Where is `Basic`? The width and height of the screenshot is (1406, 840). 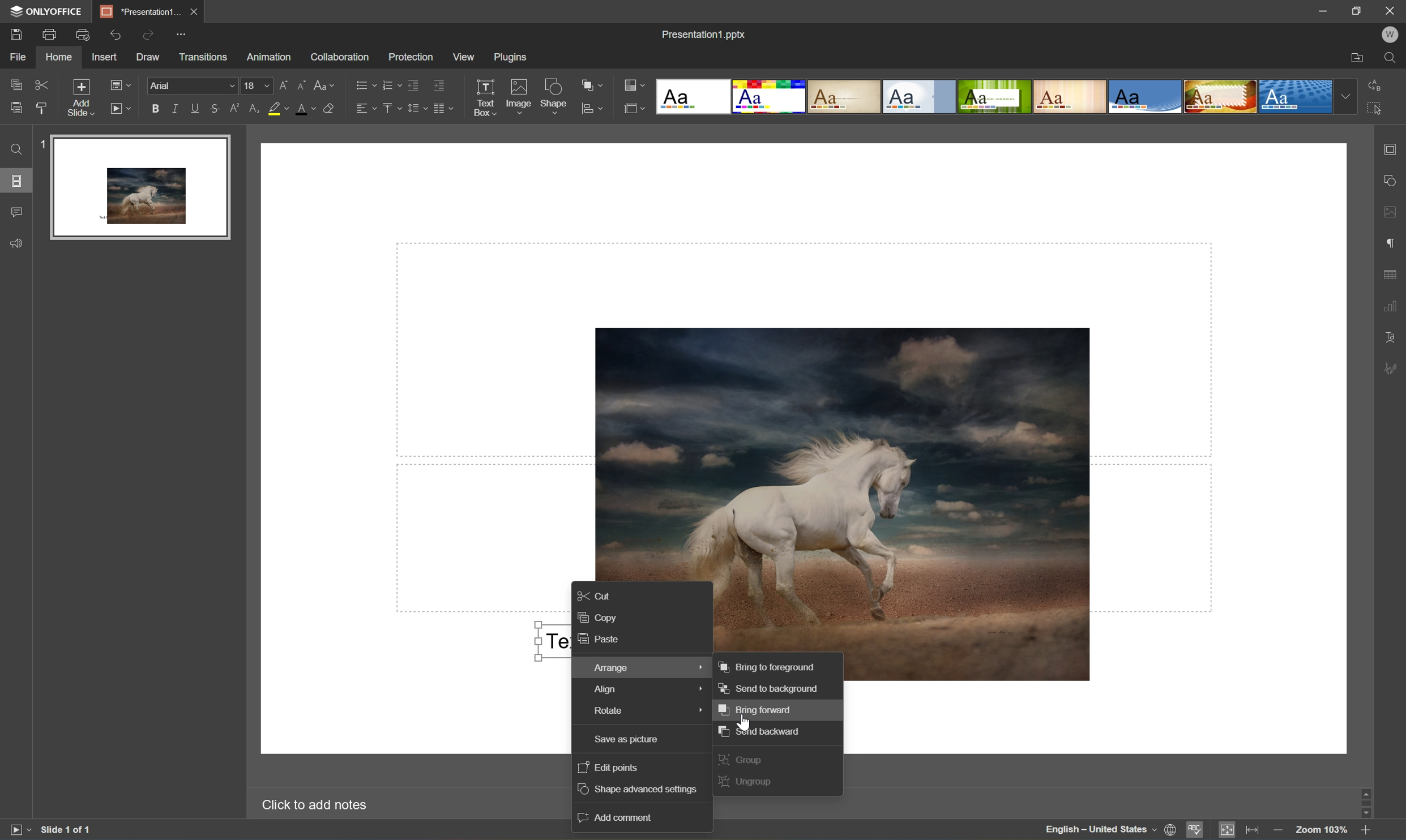 Basic is located at coordinates (772, 96).